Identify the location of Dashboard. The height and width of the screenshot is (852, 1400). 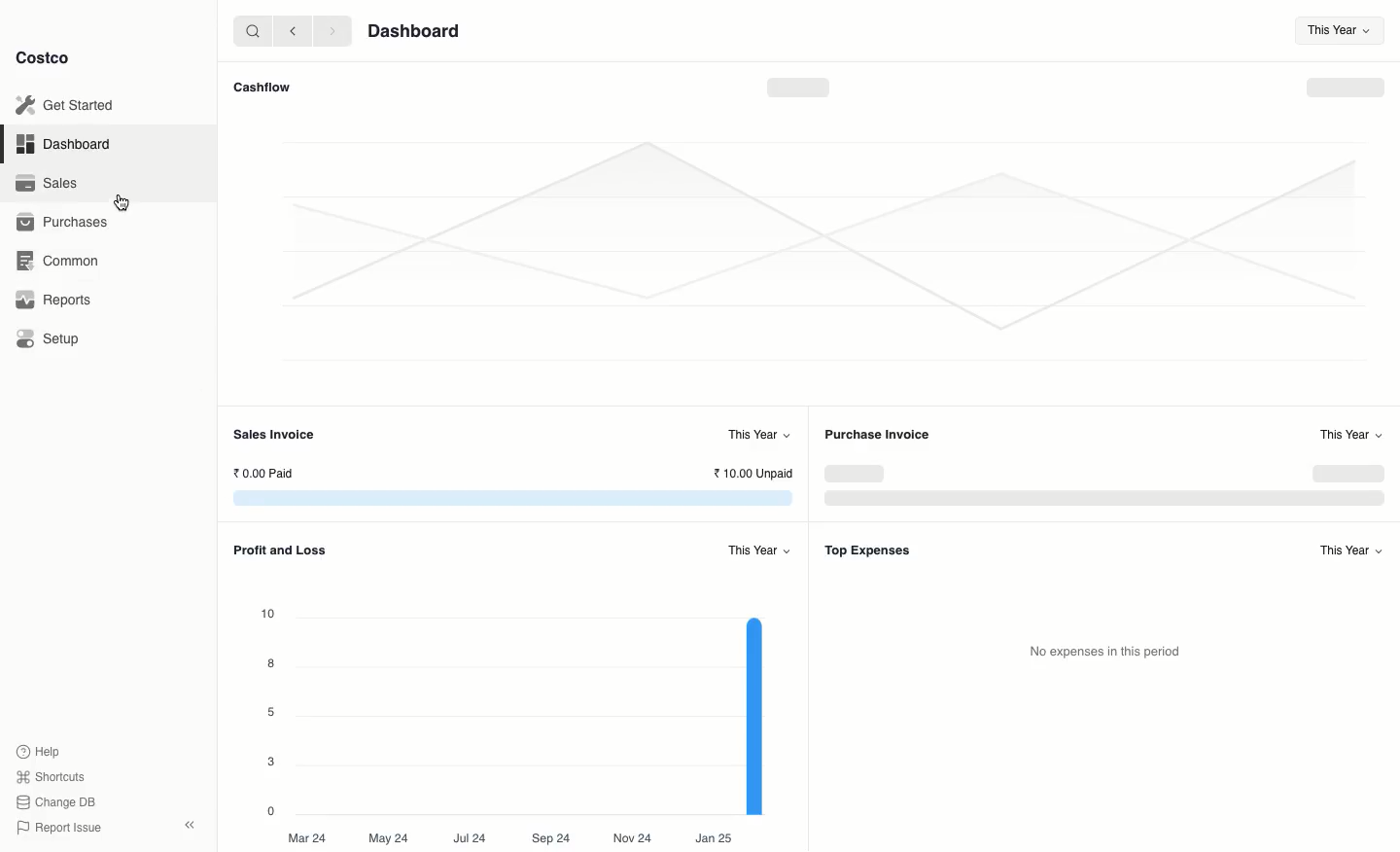
(68, 142).